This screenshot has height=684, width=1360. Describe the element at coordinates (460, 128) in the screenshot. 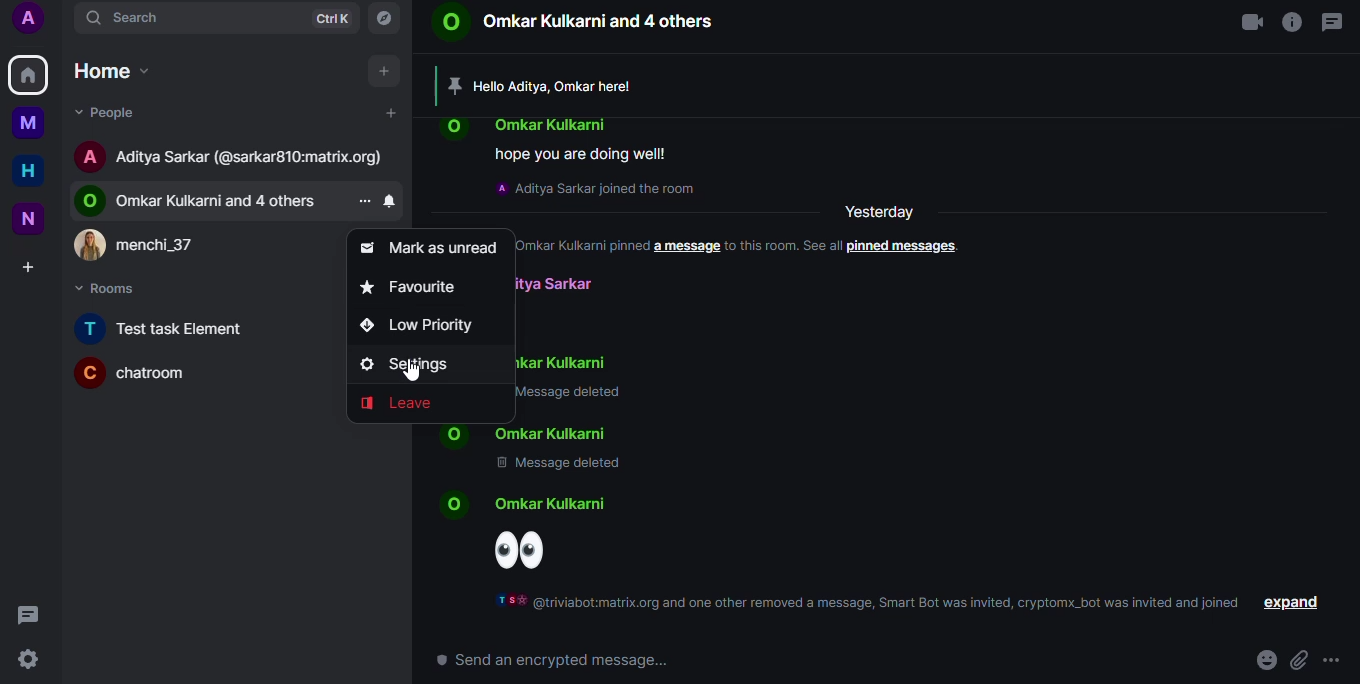

I see `o` at that location.